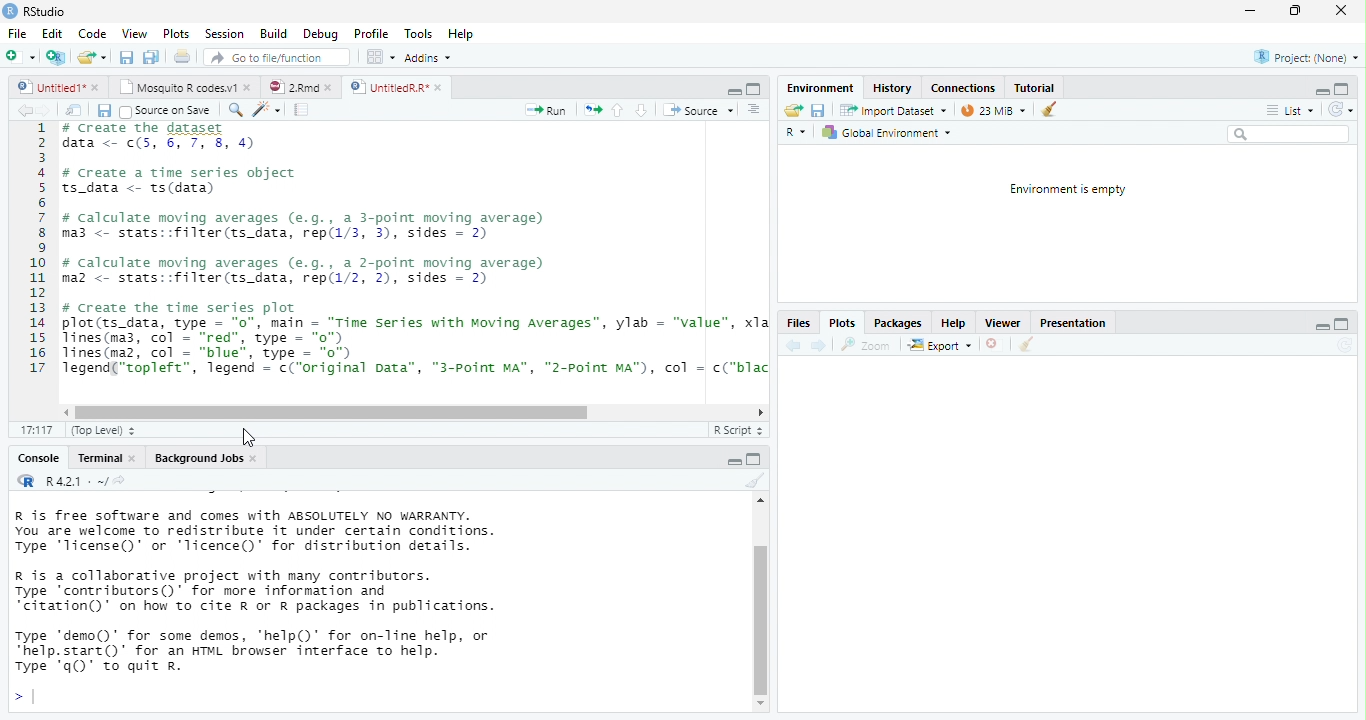  Describe the element at coordinates (36, 10) in the screenshot. I see `RStudio` at that location.